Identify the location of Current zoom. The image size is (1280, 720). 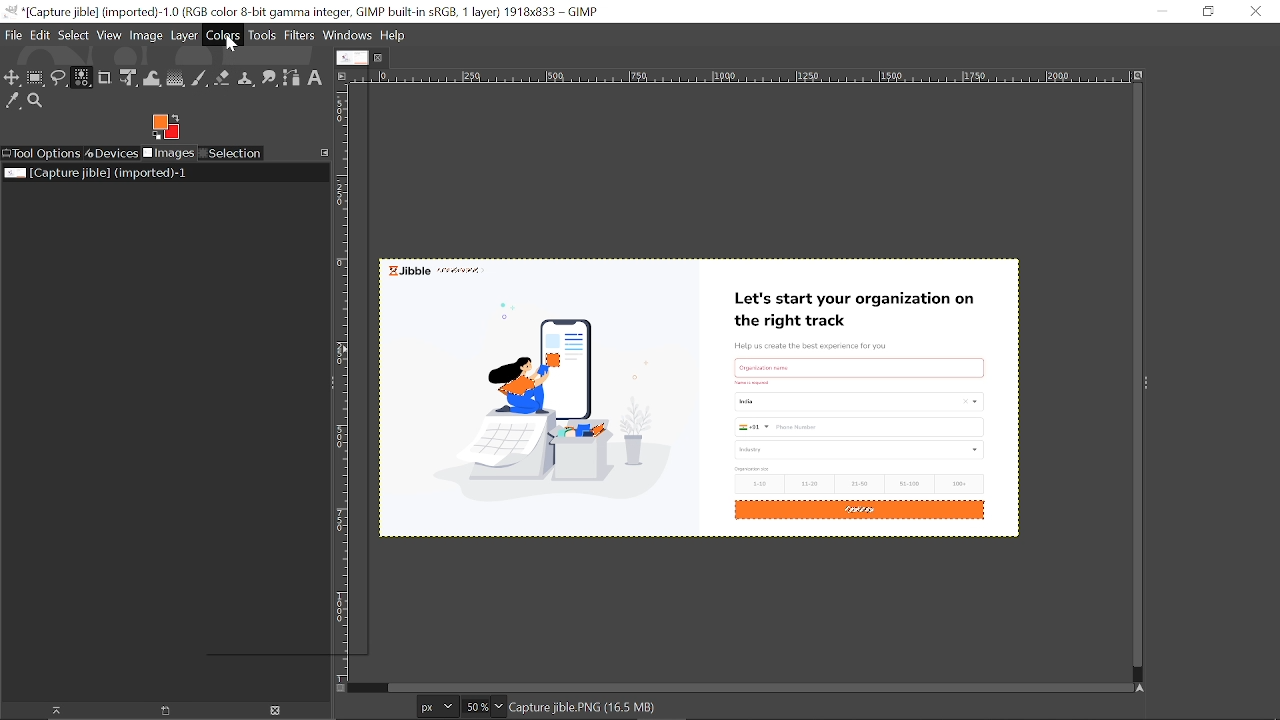
(474, 707).